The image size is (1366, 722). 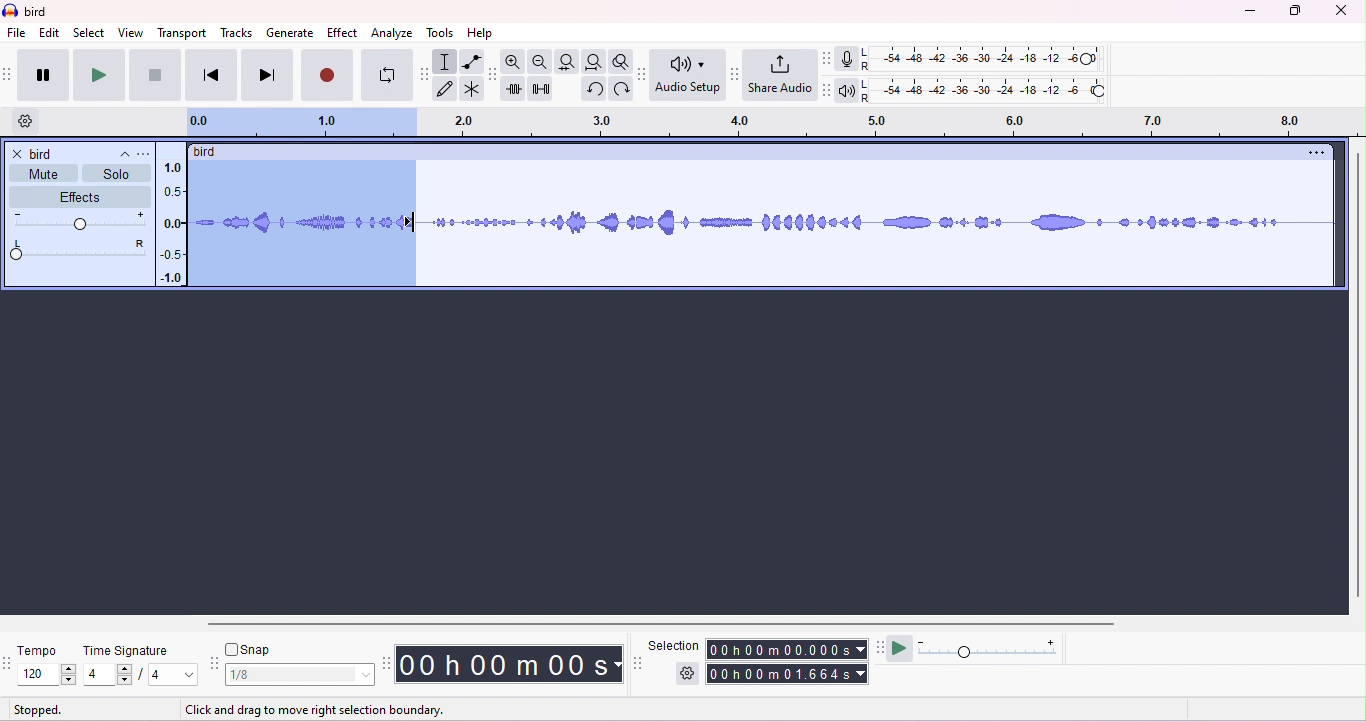 I want to click on analyze, so click(x=392, y=34).